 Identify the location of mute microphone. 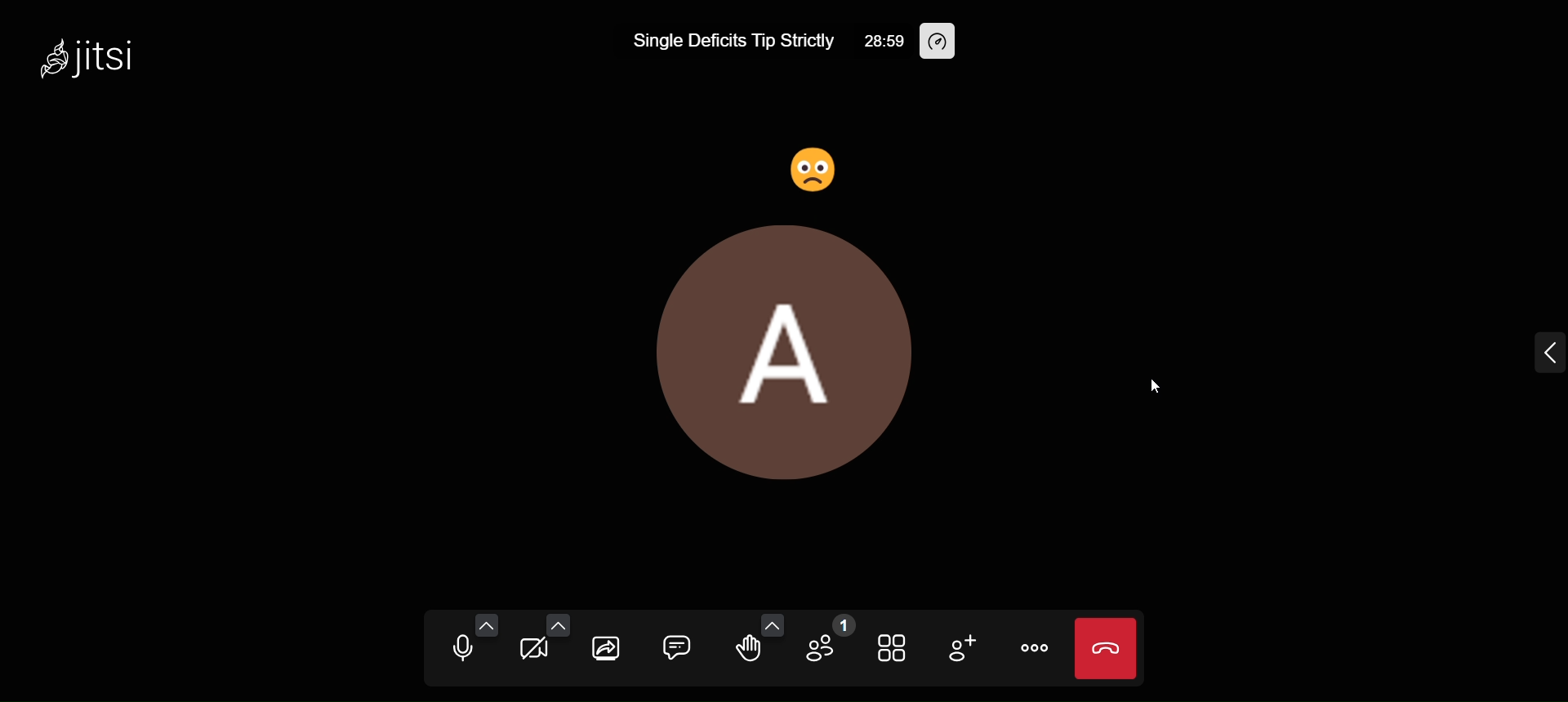
(455, 651).